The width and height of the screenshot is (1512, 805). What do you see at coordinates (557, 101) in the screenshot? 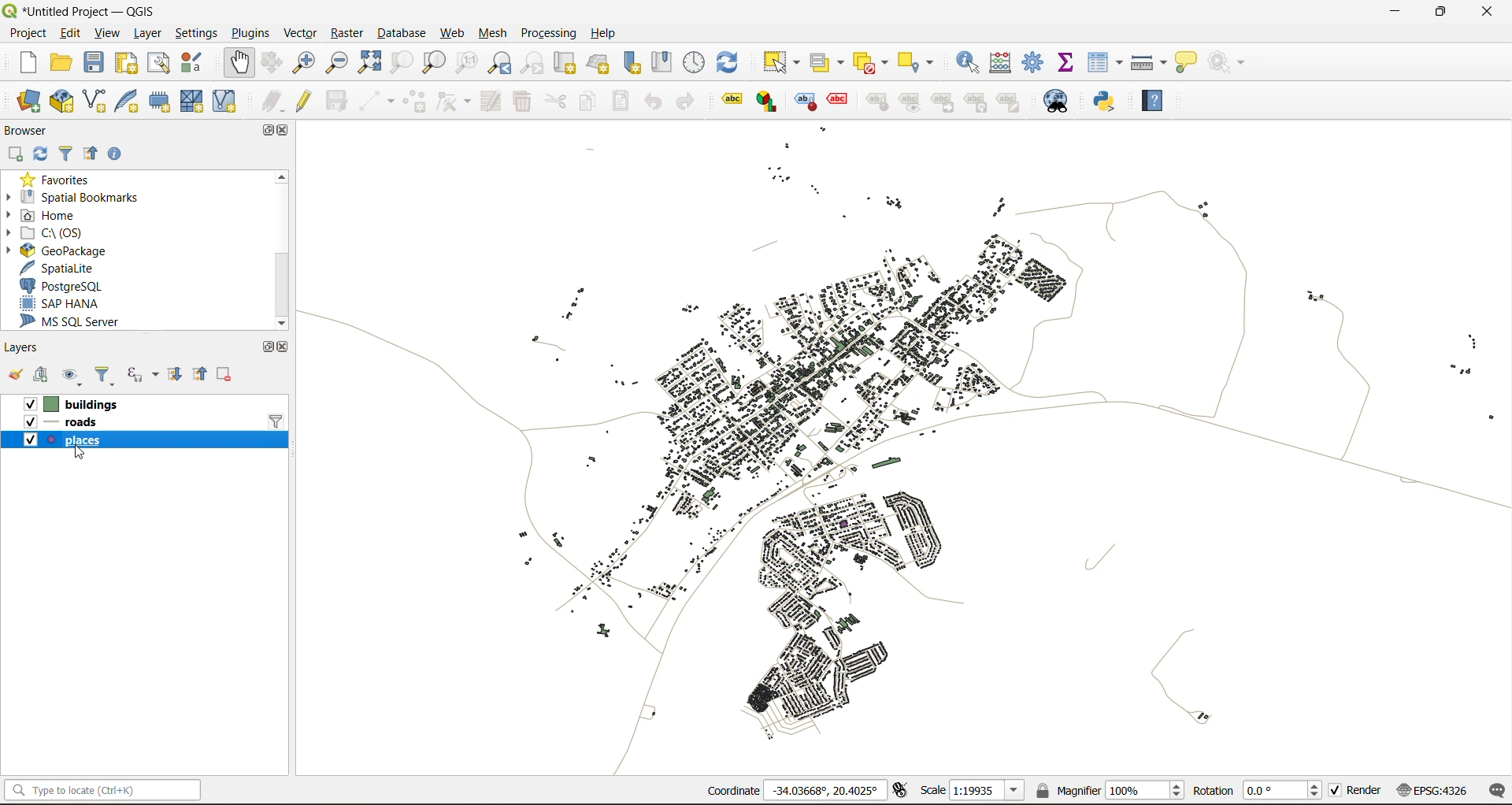
I see `cut` at bounding box center [557, 101].